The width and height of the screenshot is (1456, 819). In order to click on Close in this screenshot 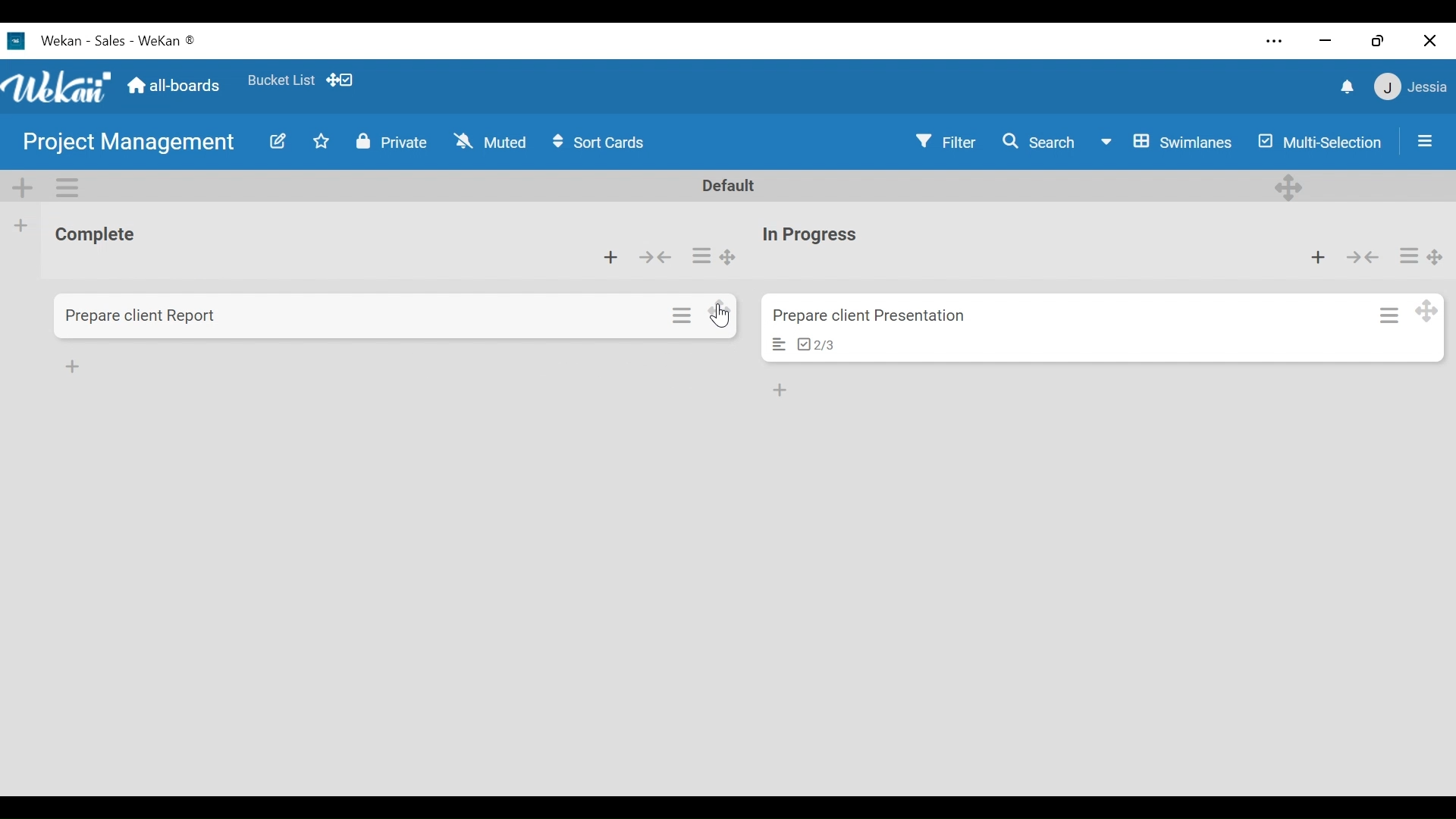, I will do `click(1431, 39)`.